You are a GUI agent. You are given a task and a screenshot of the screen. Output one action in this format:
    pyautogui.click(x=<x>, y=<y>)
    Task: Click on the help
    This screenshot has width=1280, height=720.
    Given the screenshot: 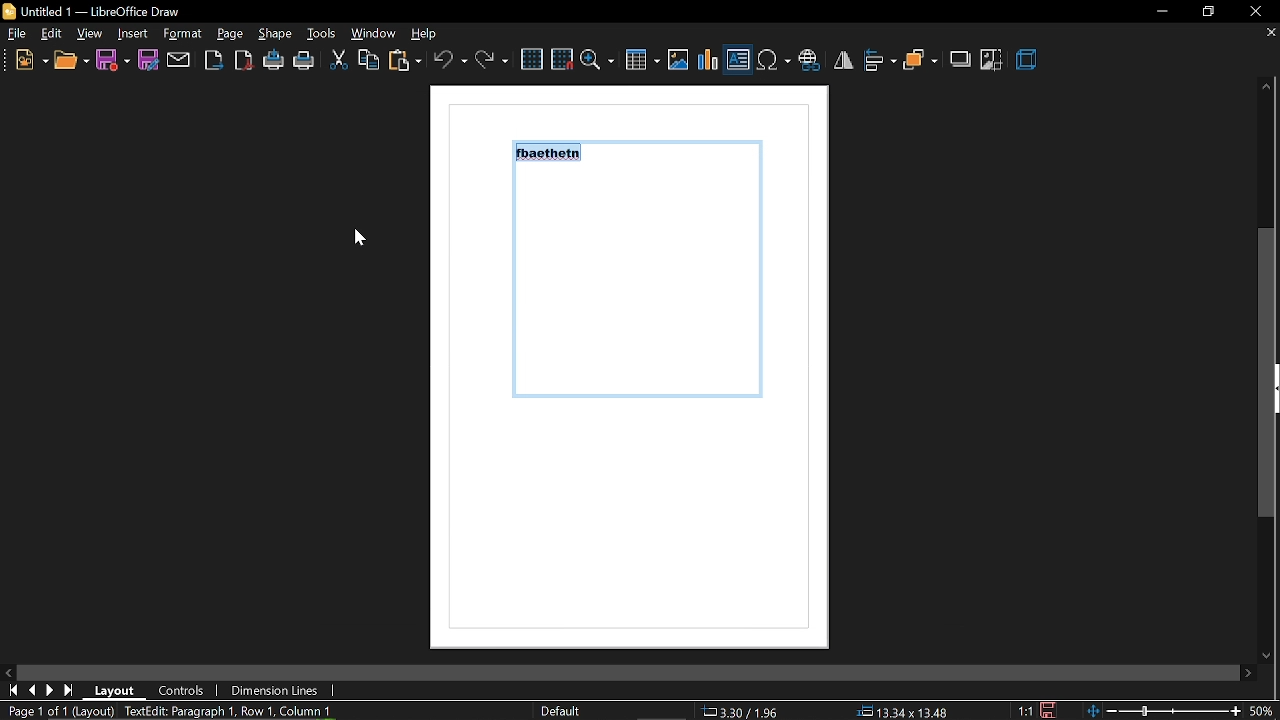 What is the action you would take?
    pyautogui.click(x=431, y=33)
    